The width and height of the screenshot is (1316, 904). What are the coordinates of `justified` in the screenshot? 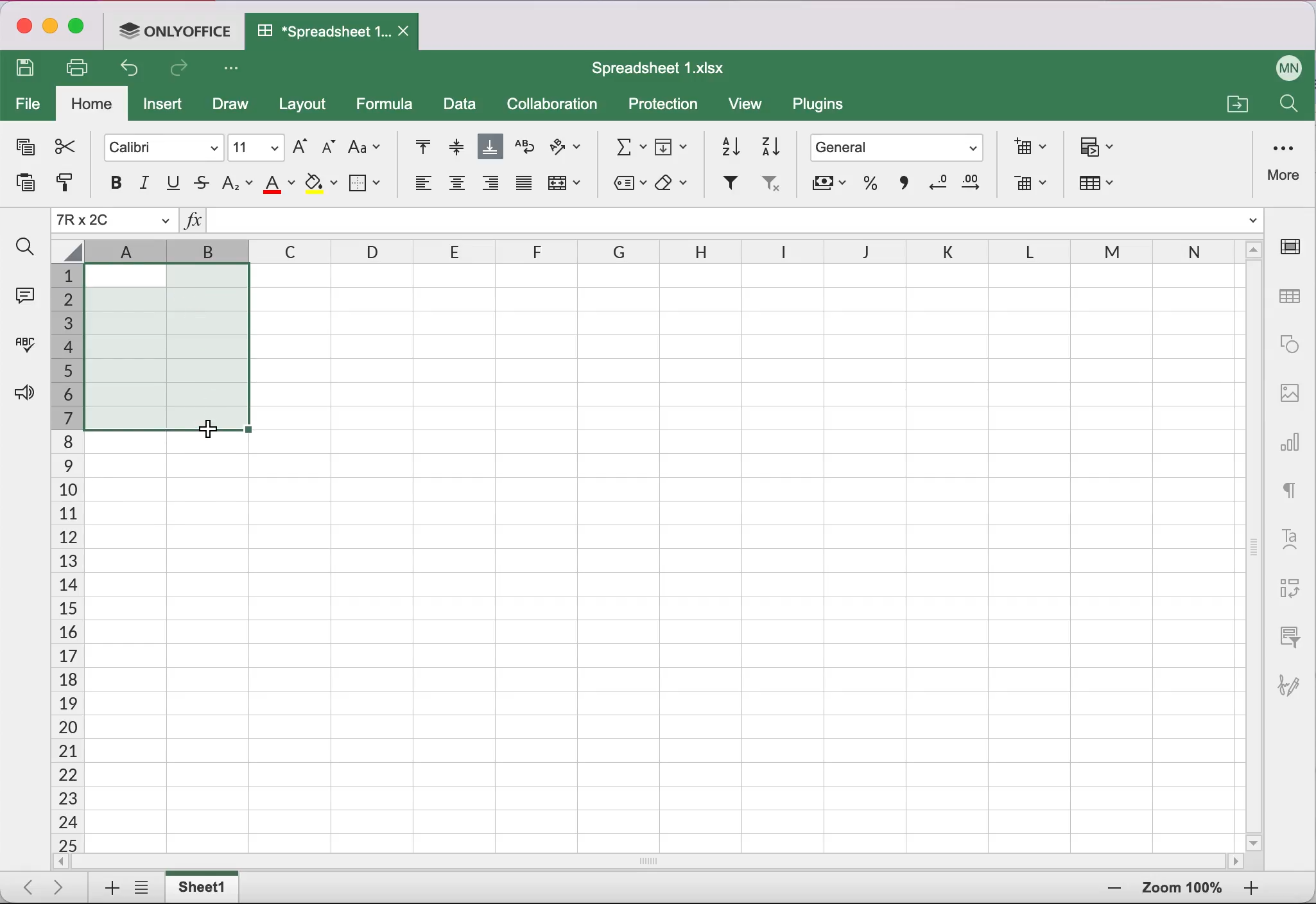 It's located at (523, 187).